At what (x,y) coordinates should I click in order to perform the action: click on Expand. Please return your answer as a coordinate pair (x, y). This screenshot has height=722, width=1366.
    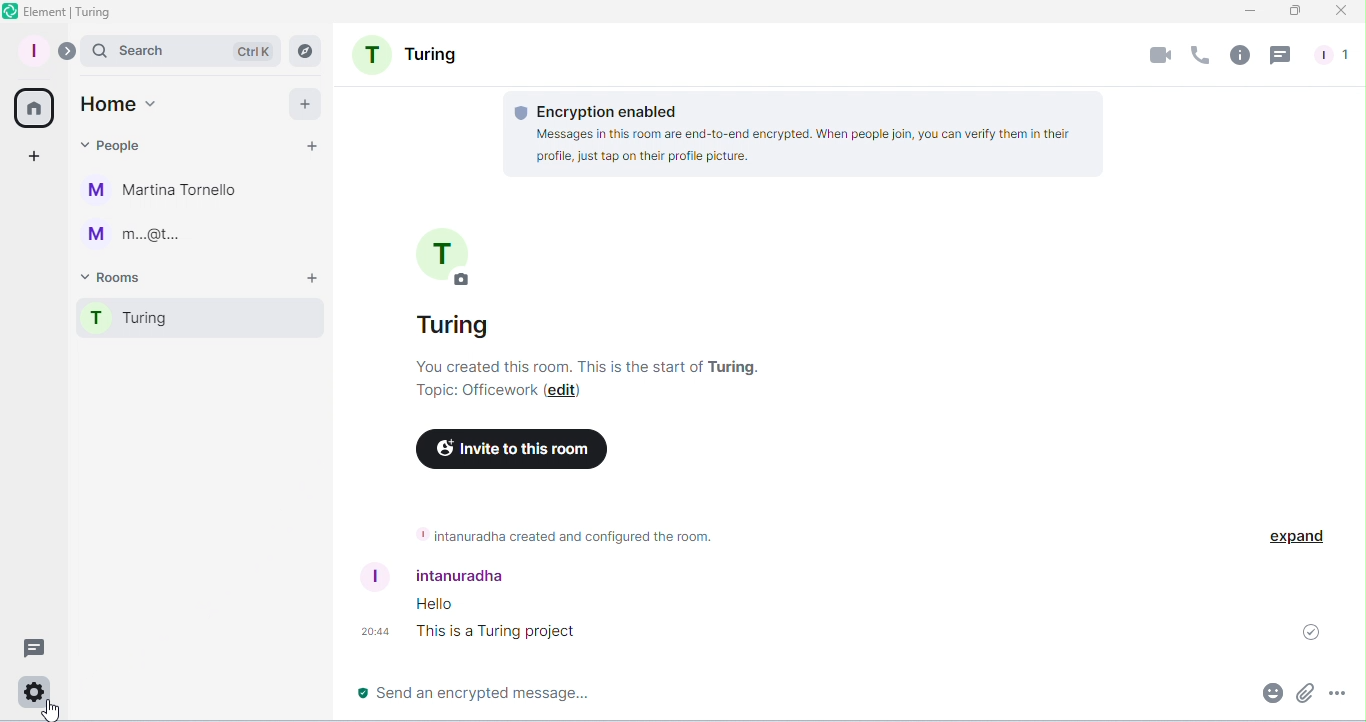
    Looking at the image, I should click on (1295, 536).